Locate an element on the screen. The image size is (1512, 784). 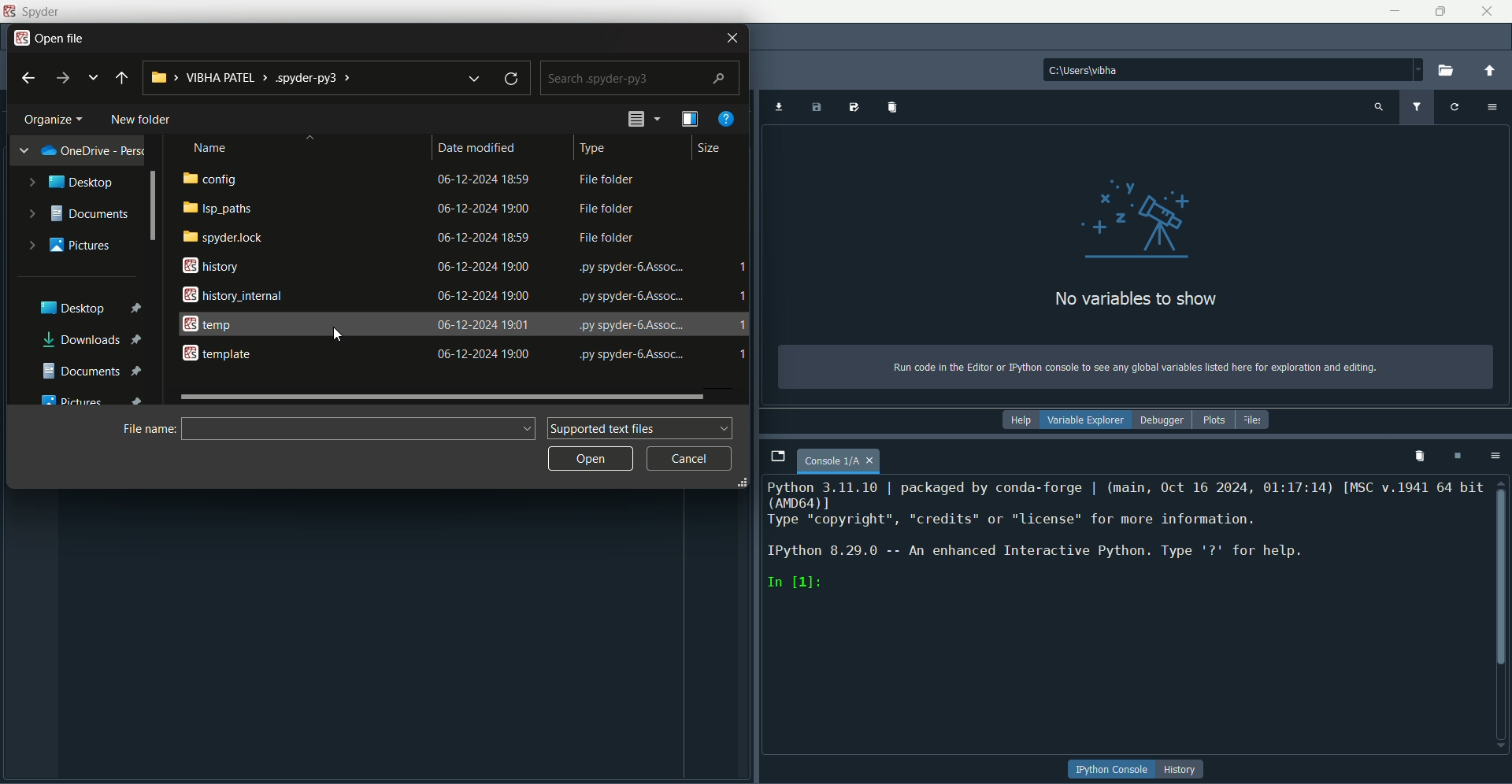
name is located at coordinates (213, 146).